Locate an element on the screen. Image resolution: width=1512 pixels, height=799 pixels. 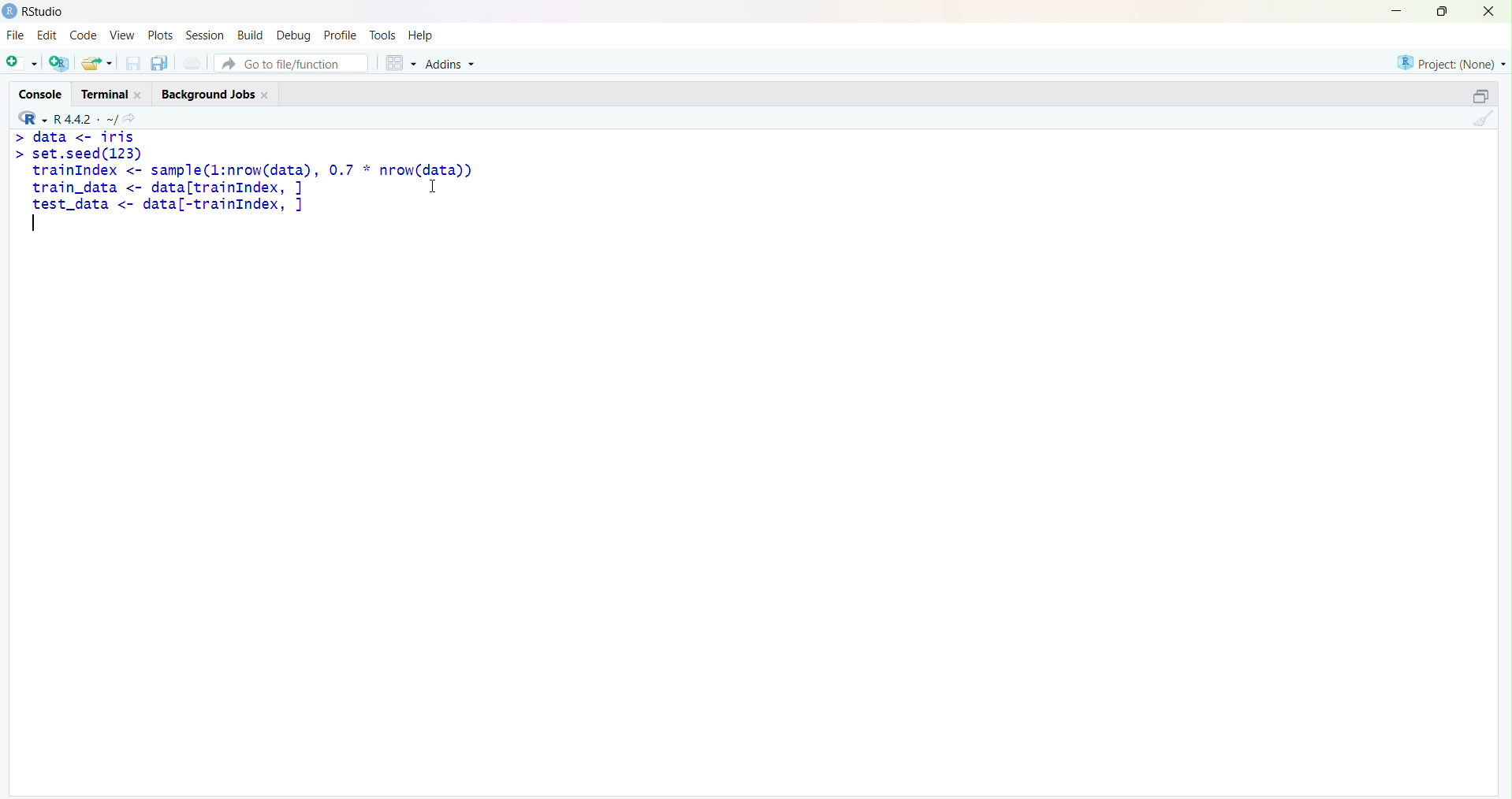
Console is located at coordinates (43, 91).